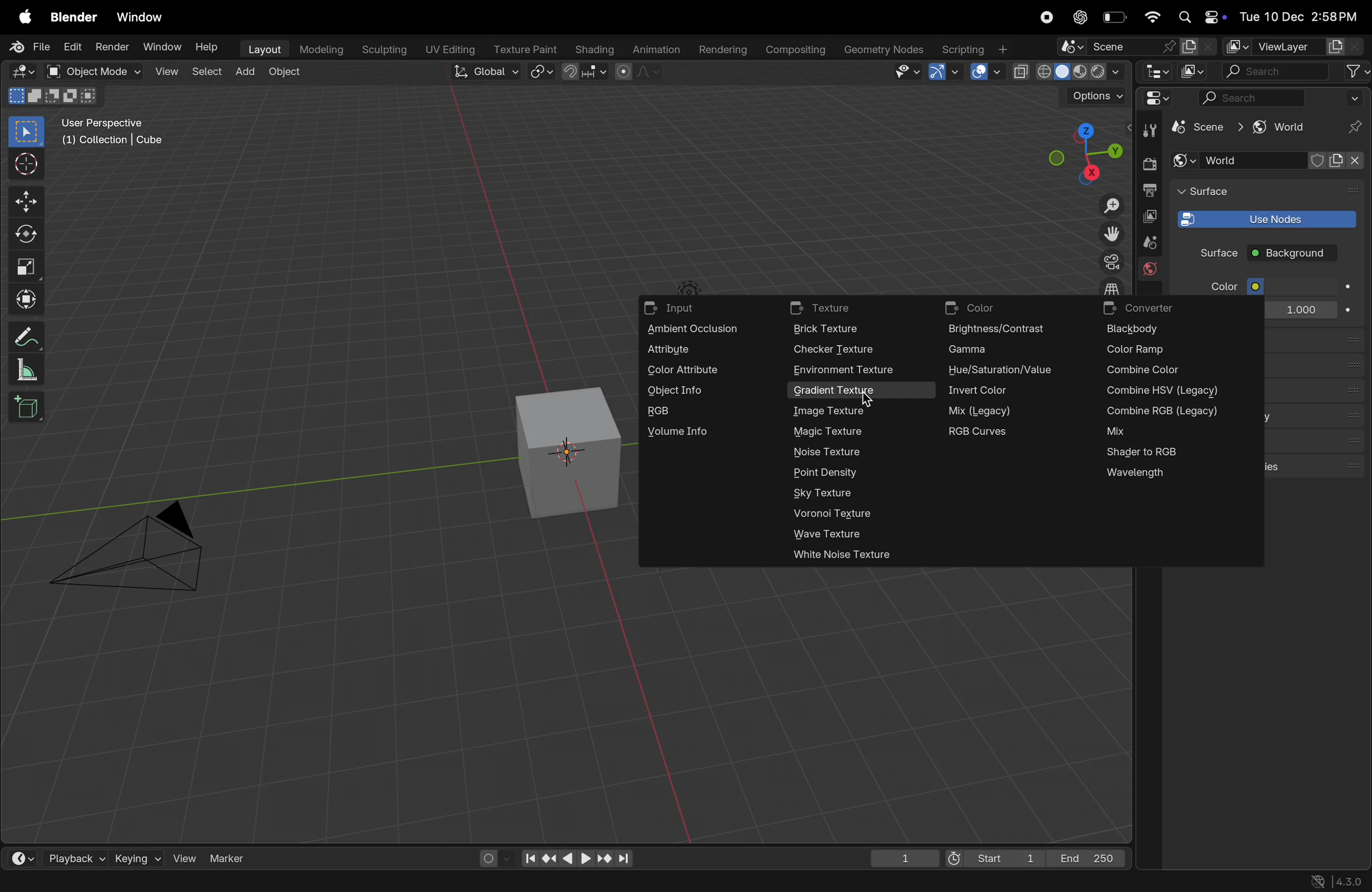  Describe the element at coordinates (991, 410) in the screenshot. I see `mix legacy` at that location.